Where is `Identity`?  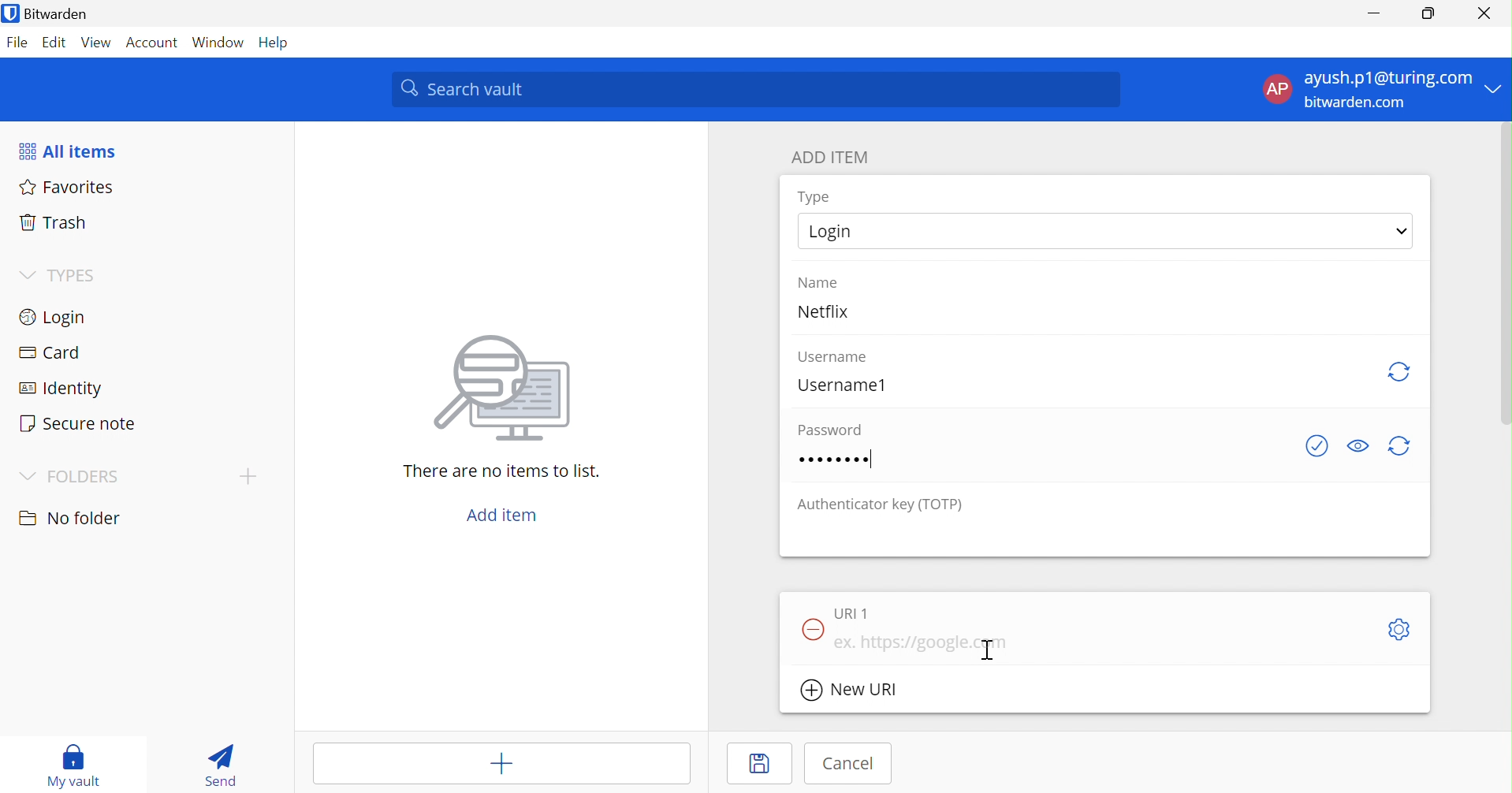 Identity is located at coordinates (57, 387).